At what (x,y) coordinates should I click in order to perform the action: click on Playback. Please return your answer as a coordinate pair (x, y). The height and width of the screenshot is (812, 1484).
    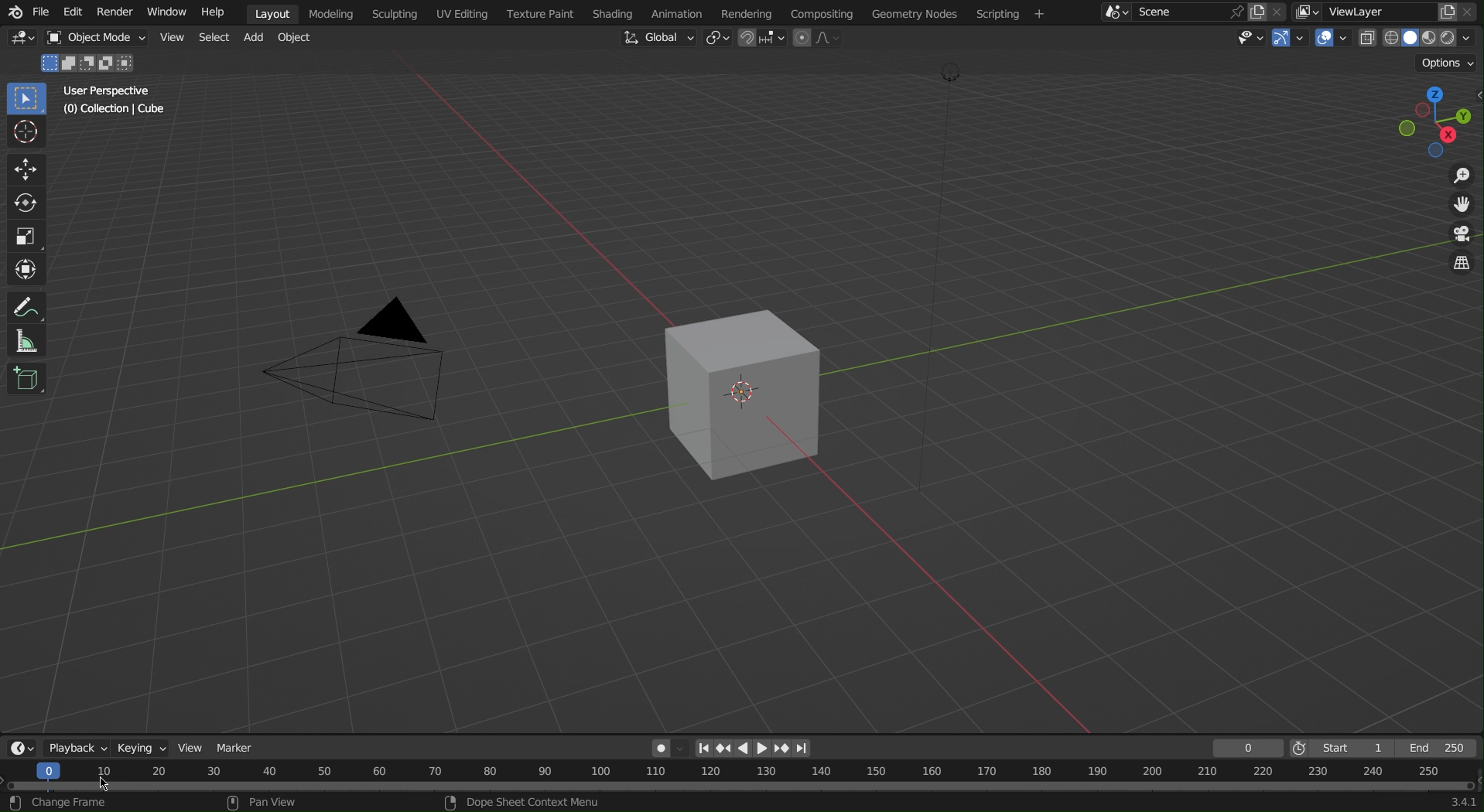
    Looking at the image, I should click on (74, 748).